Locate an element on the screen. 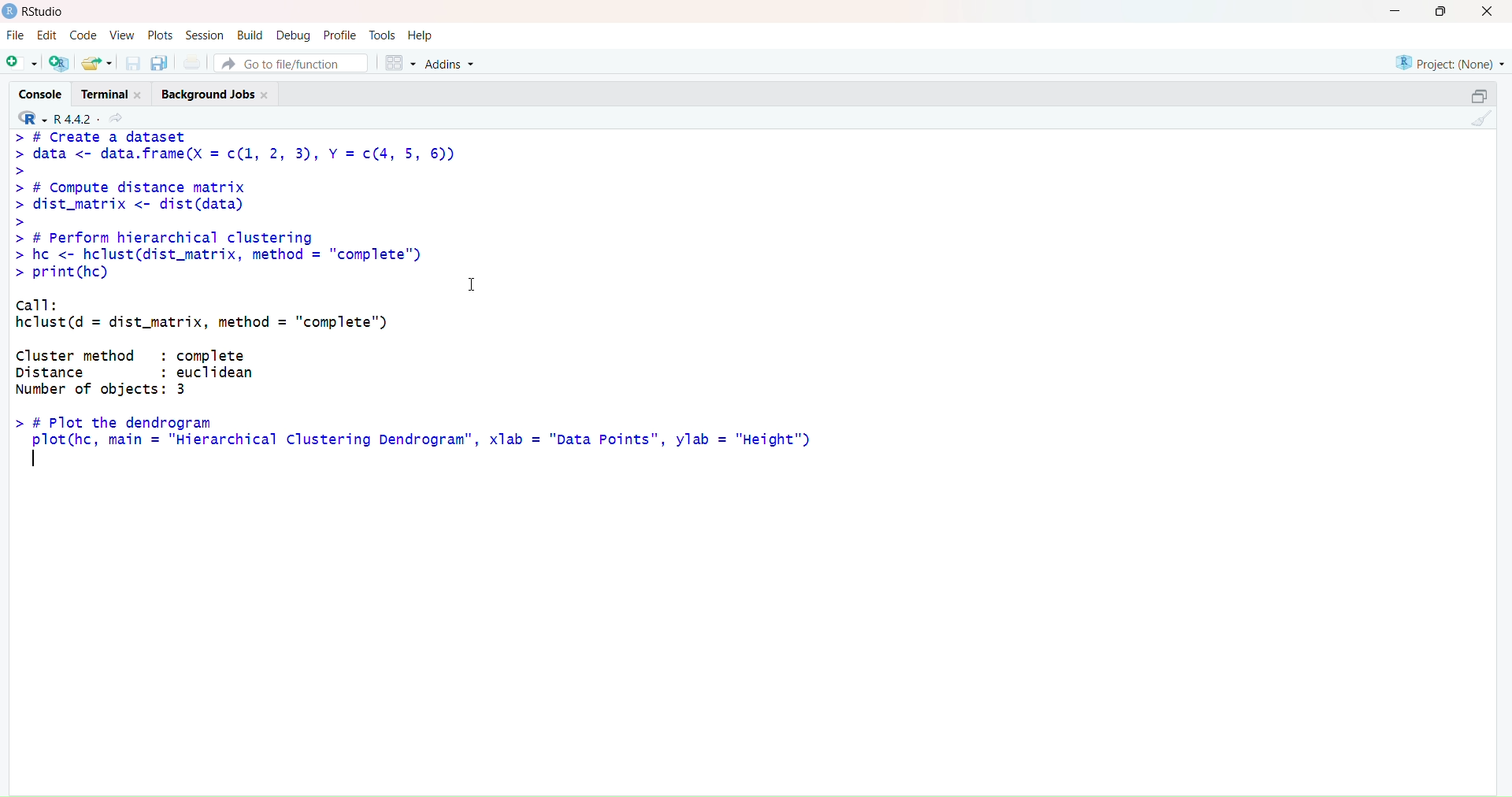 The width and height of the screenshot is (1512, 797). Addins is located at coordinates (461, 61).